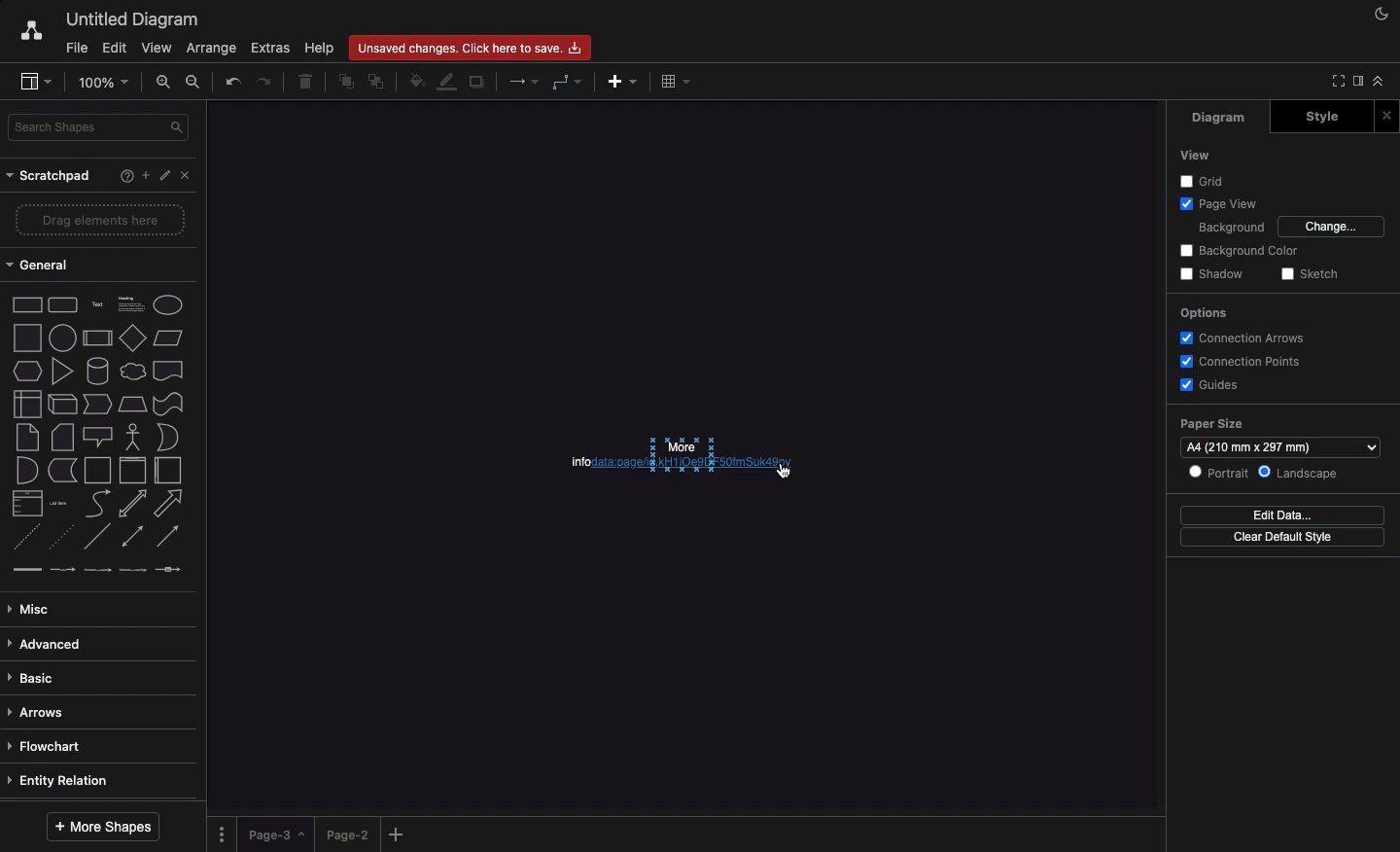 The width and height of the screenshot is (1400, 852). What do you see at coordinates (1194, 180) in the screenshot?
I see `Grid` at bounding box center [1194, 180].